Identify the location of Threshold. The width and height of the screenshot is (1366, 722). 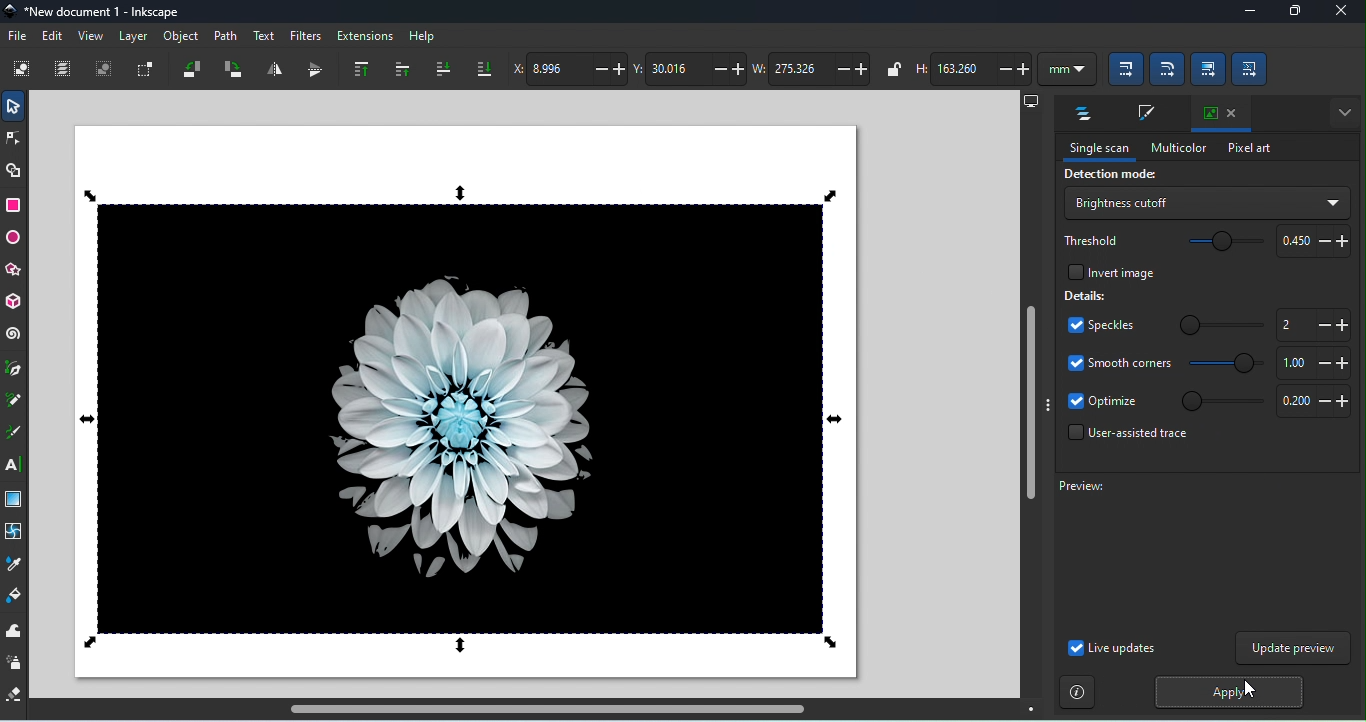
(1089, 241).